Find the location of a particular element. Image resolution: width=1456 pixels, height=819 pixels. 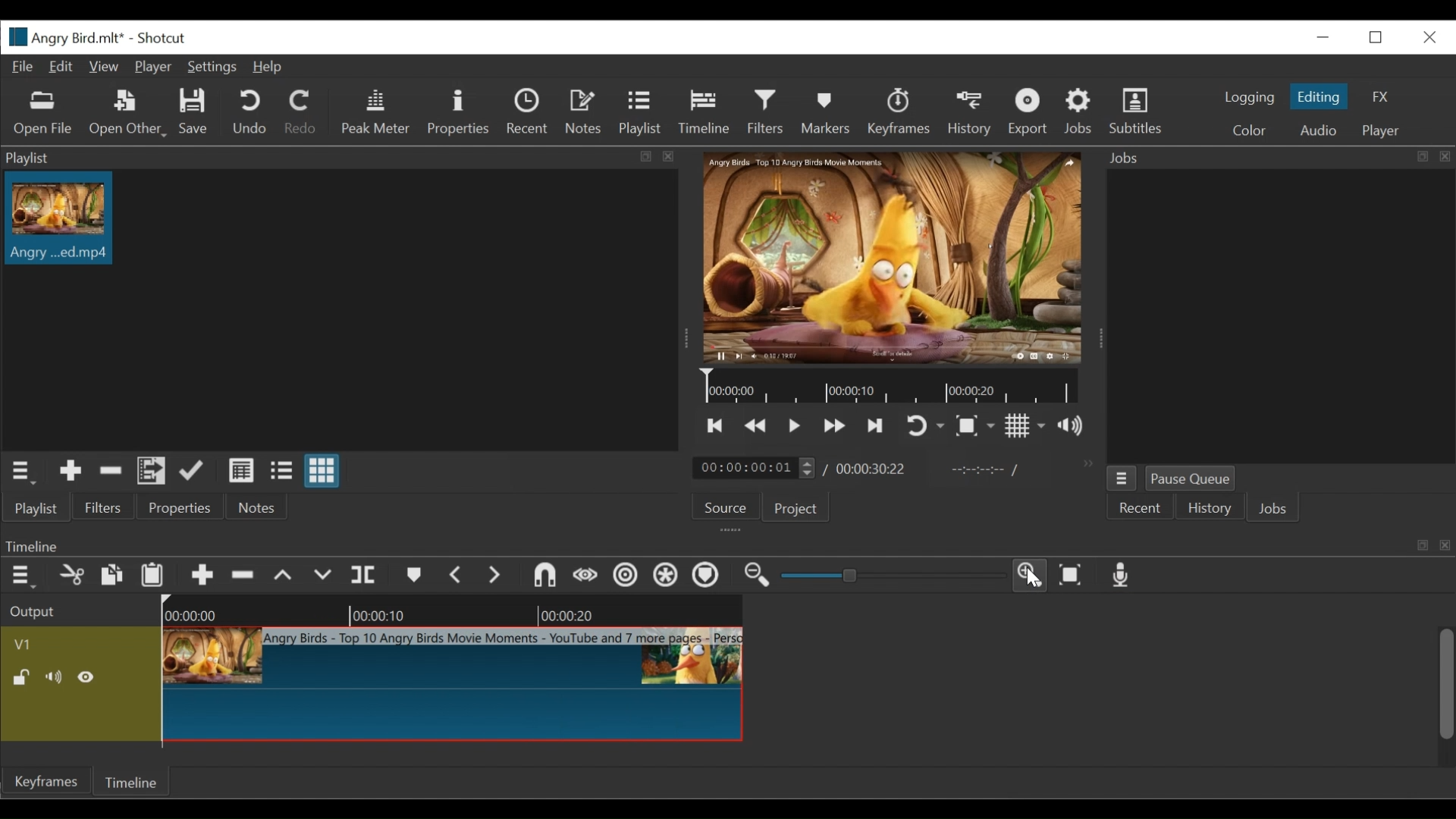

Pause Queue is located at coordinates (1193, 477).